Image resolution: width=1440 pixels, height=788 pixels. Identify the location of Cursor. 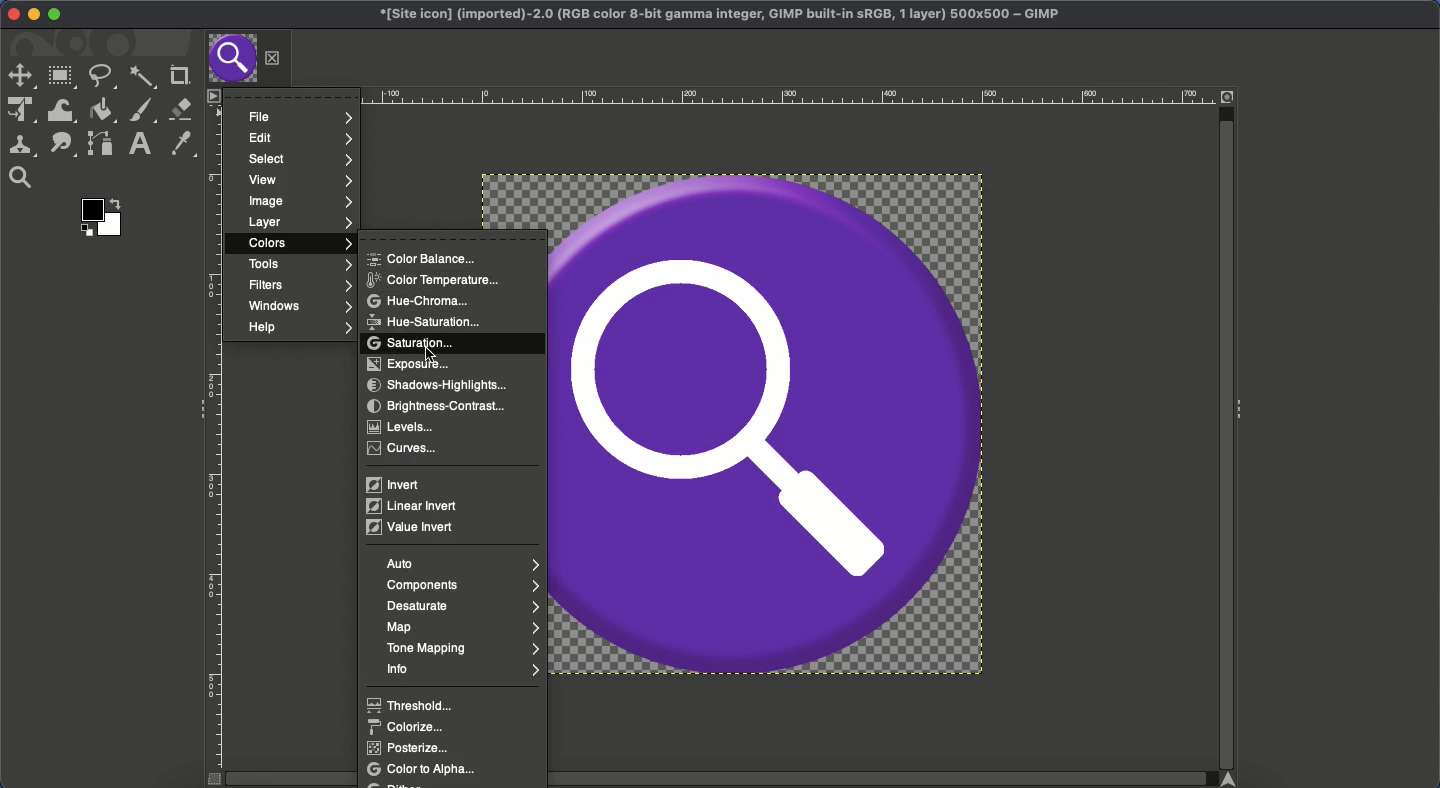
(428, 353).